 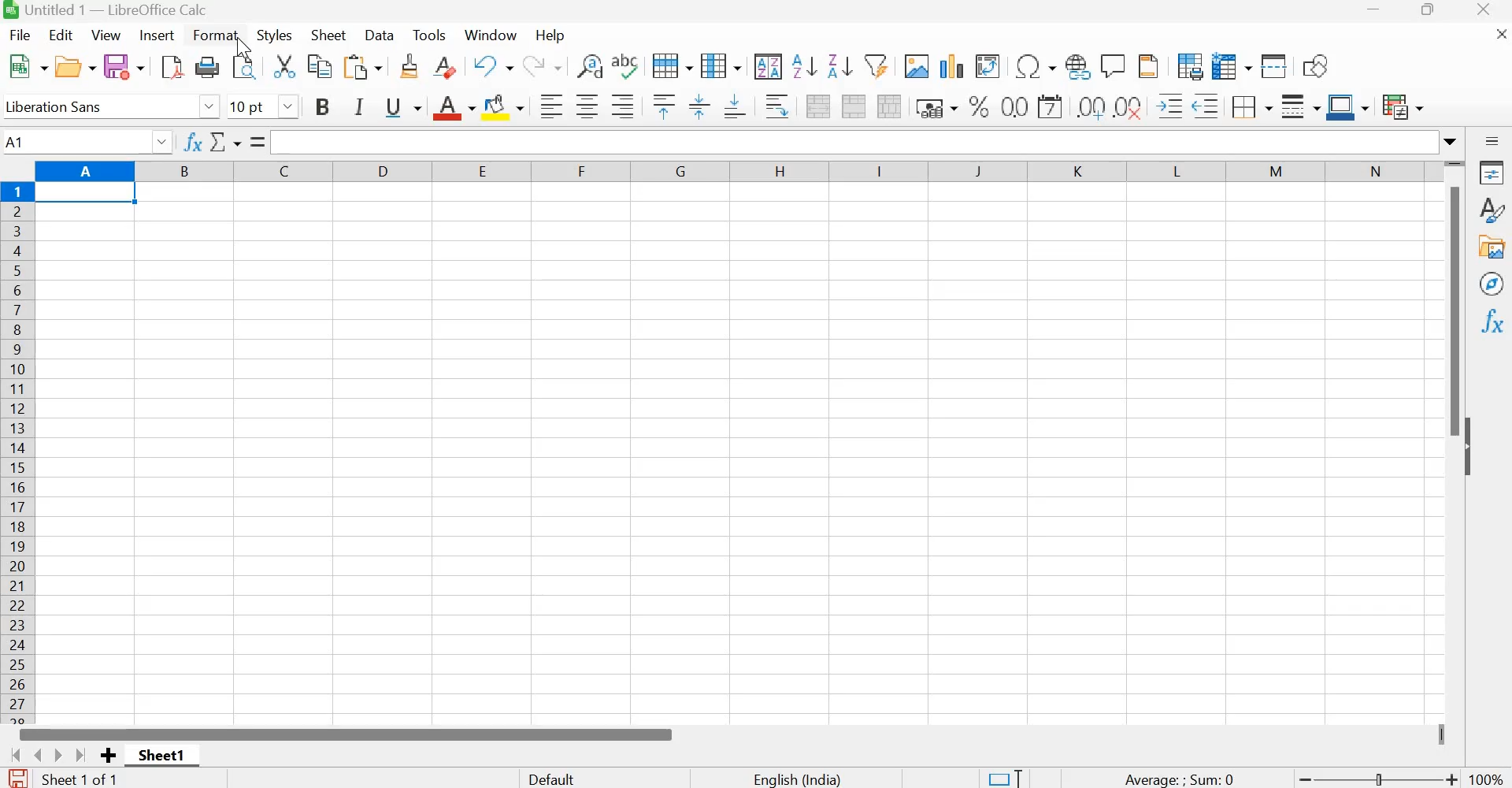 I want to click on Zoom in, so click(x=1454, y=779).